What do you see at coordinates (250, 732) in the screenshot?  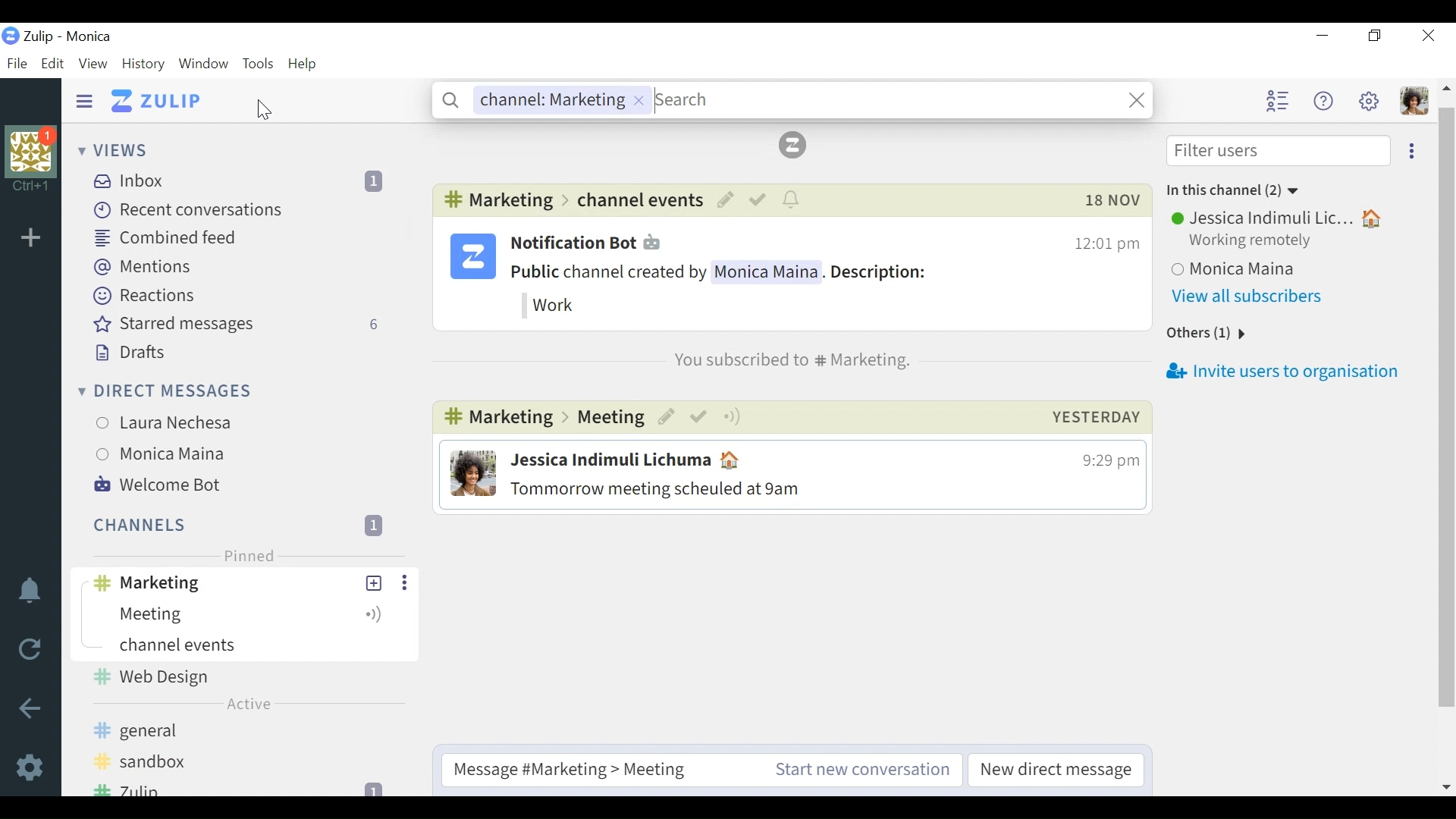 I see `channel` at bounding box center [250, 732].